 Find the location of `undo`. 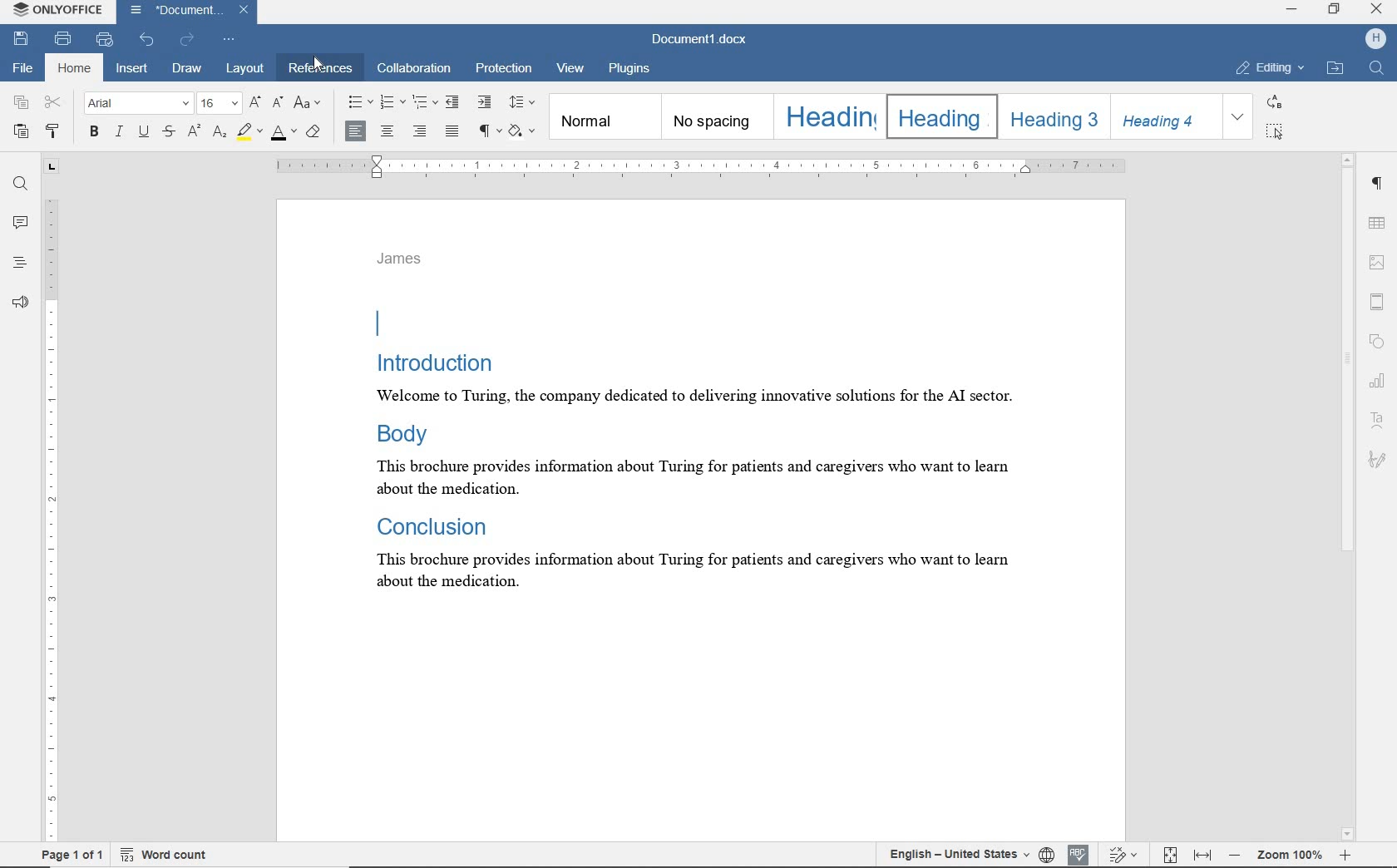

undo is located at coordinates (148, 40).